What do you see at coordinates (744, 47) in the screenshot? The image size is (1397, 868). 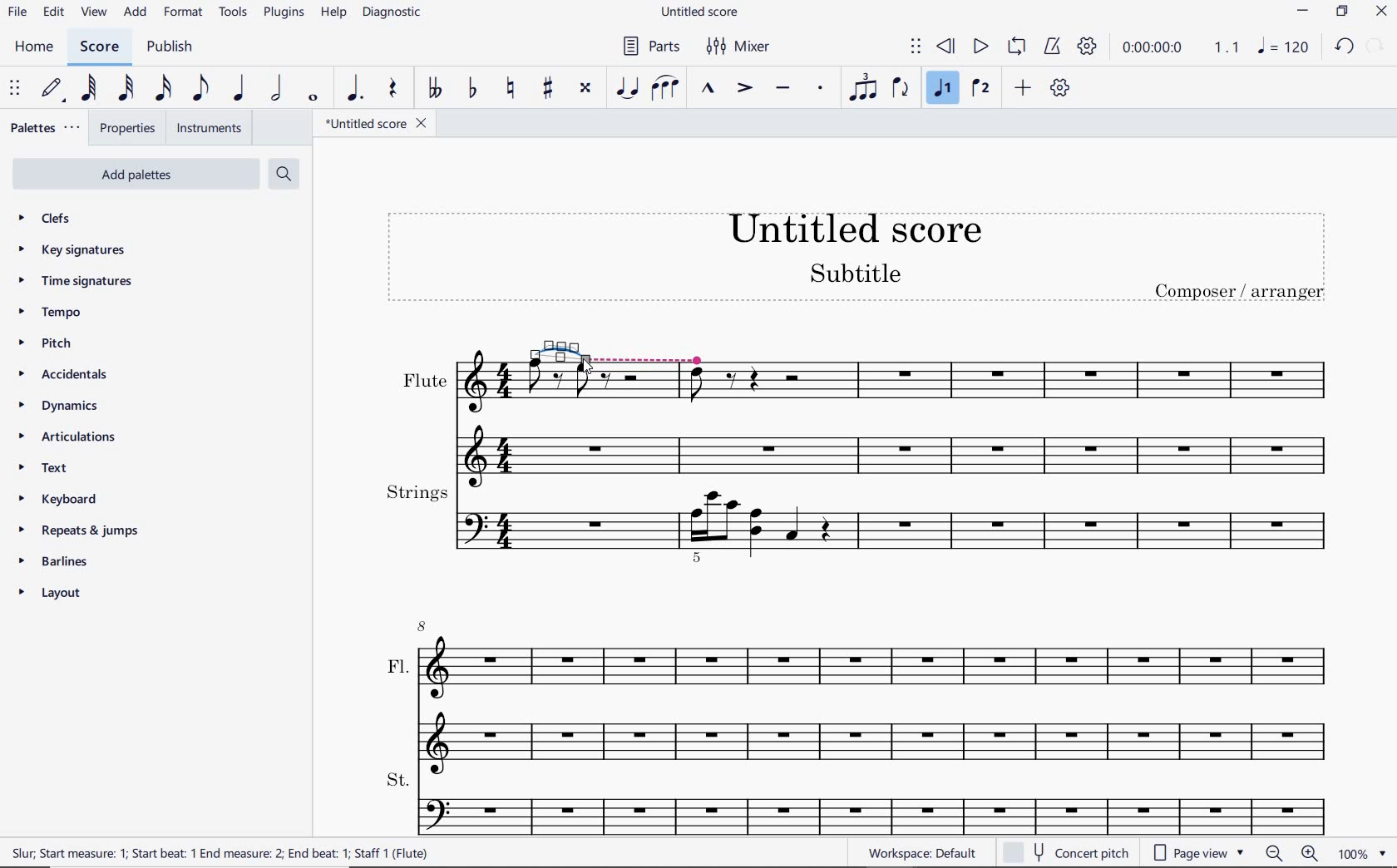 I see `mixer` at bounding box center [744, 47].